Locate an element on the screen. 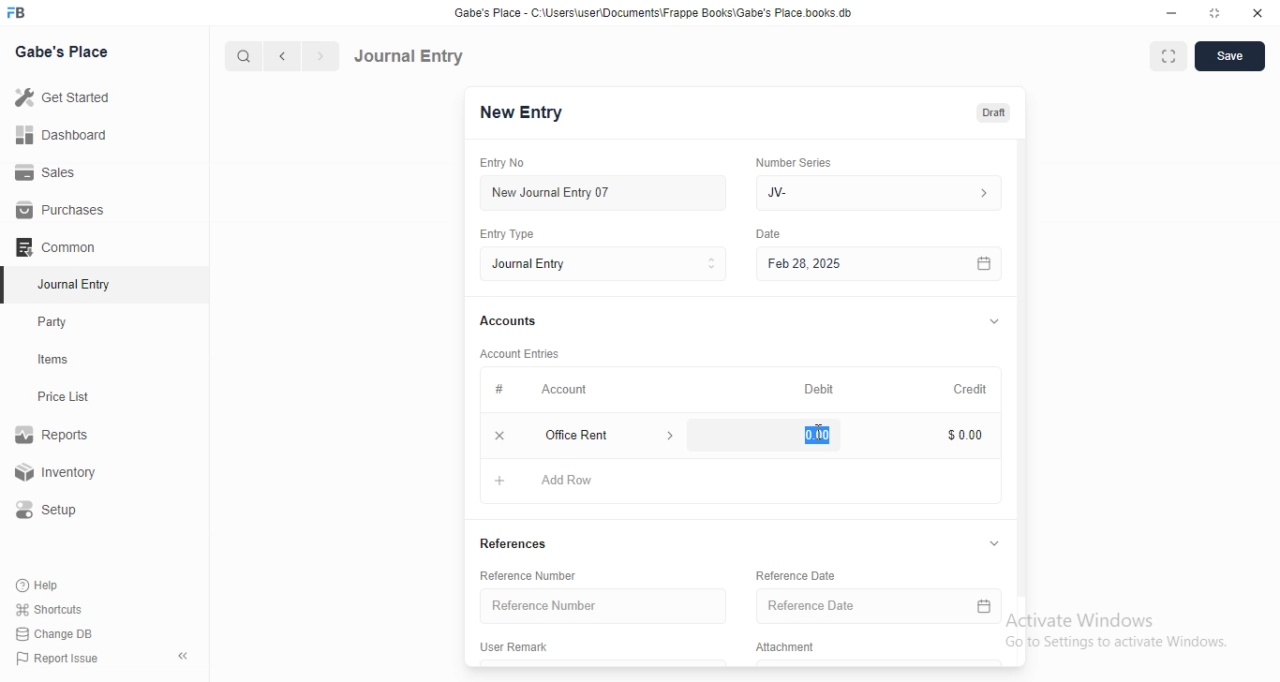 This screenshot has height=682, width=1280. Comman is located at coordinates (49, 247).